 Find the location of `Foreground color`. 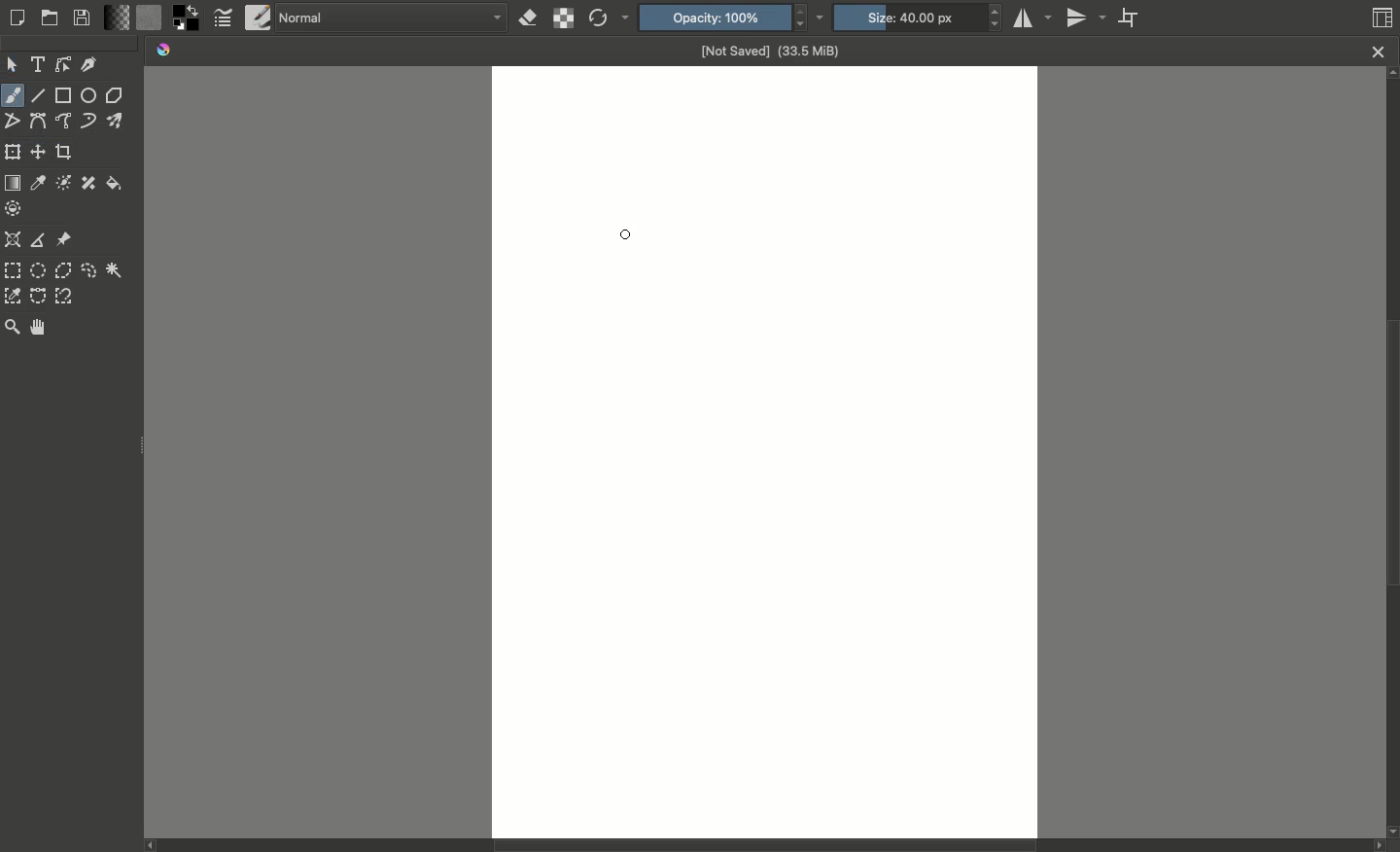

Foreground color is located at coordinates (185, 18).